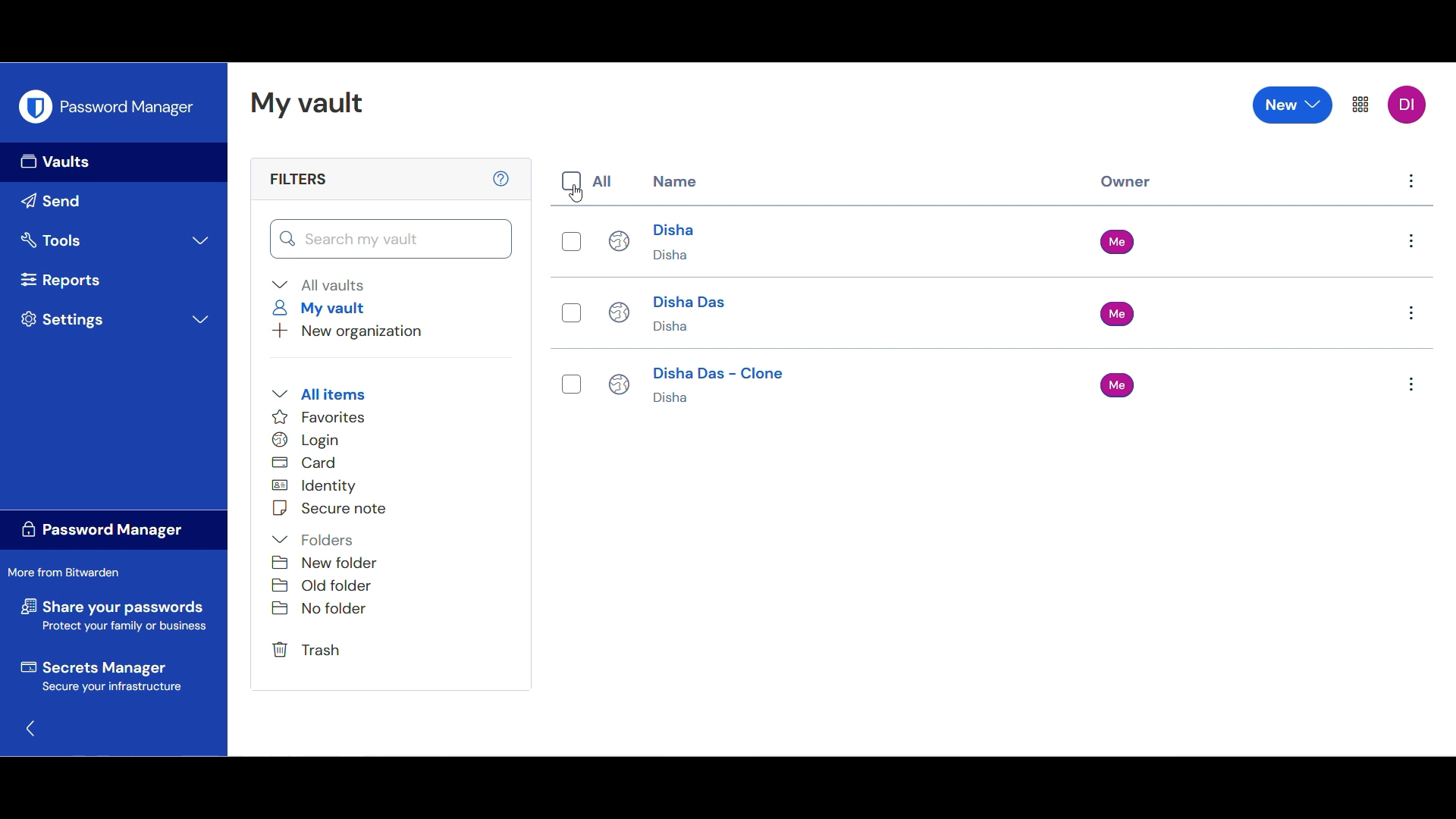  I want to click on DI, so click(1407, 104).